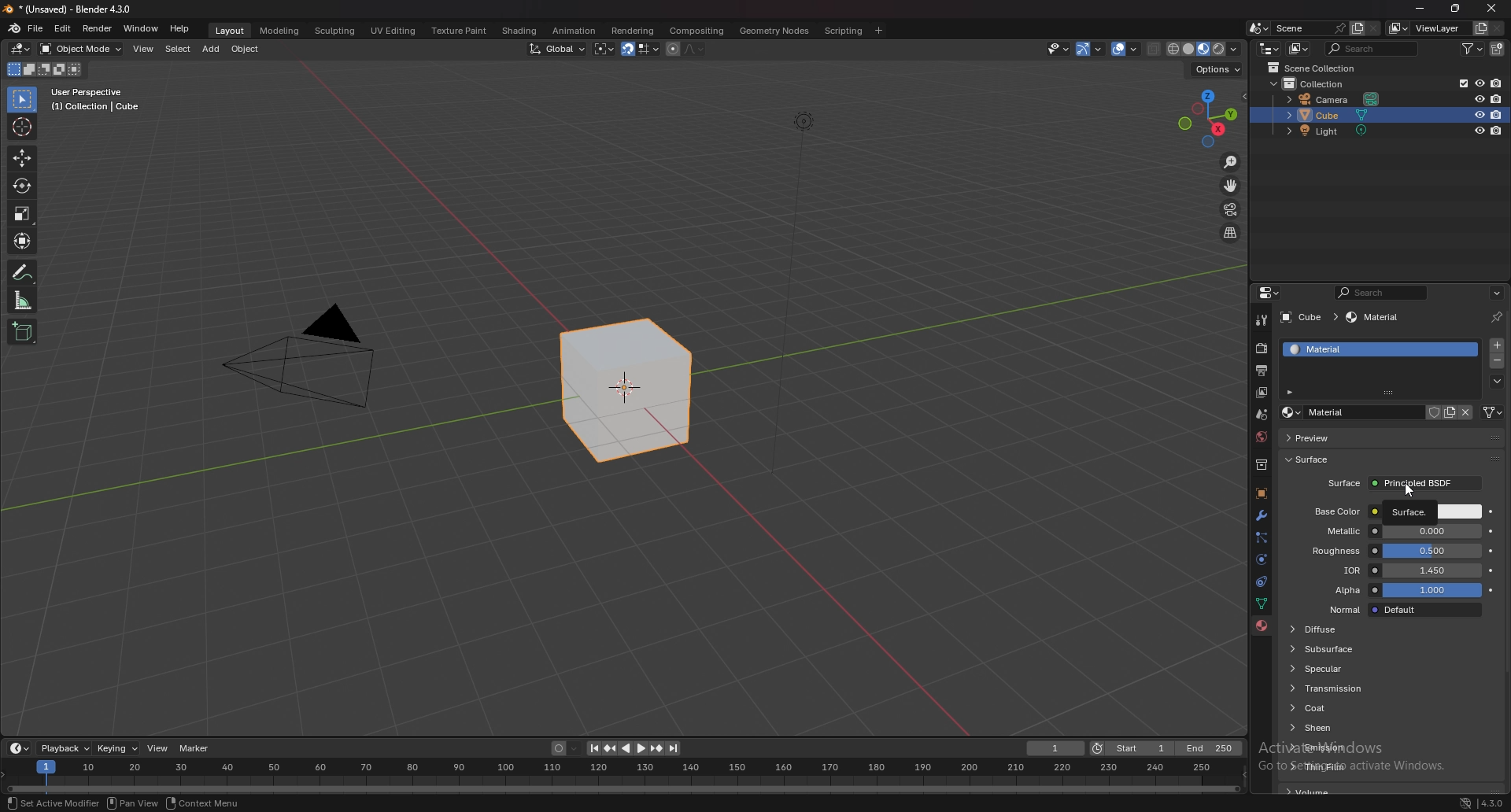  What do you see at coordinates (1491, 589) in the screenshot?
I see `animate property` at bounding box center [1491, 589].